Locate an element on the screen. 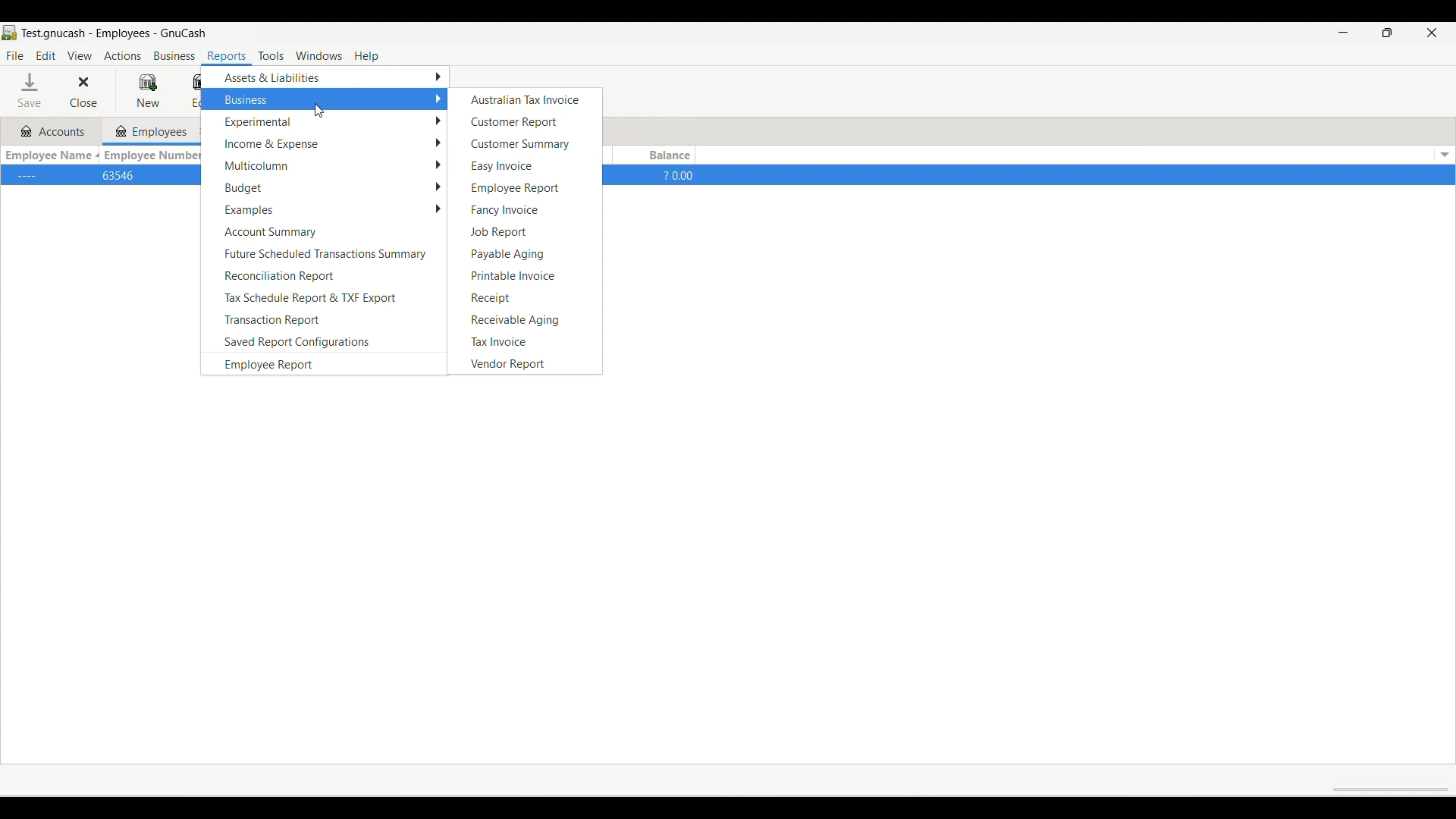  Australian tax invoice is located at coordinates (526, 99).